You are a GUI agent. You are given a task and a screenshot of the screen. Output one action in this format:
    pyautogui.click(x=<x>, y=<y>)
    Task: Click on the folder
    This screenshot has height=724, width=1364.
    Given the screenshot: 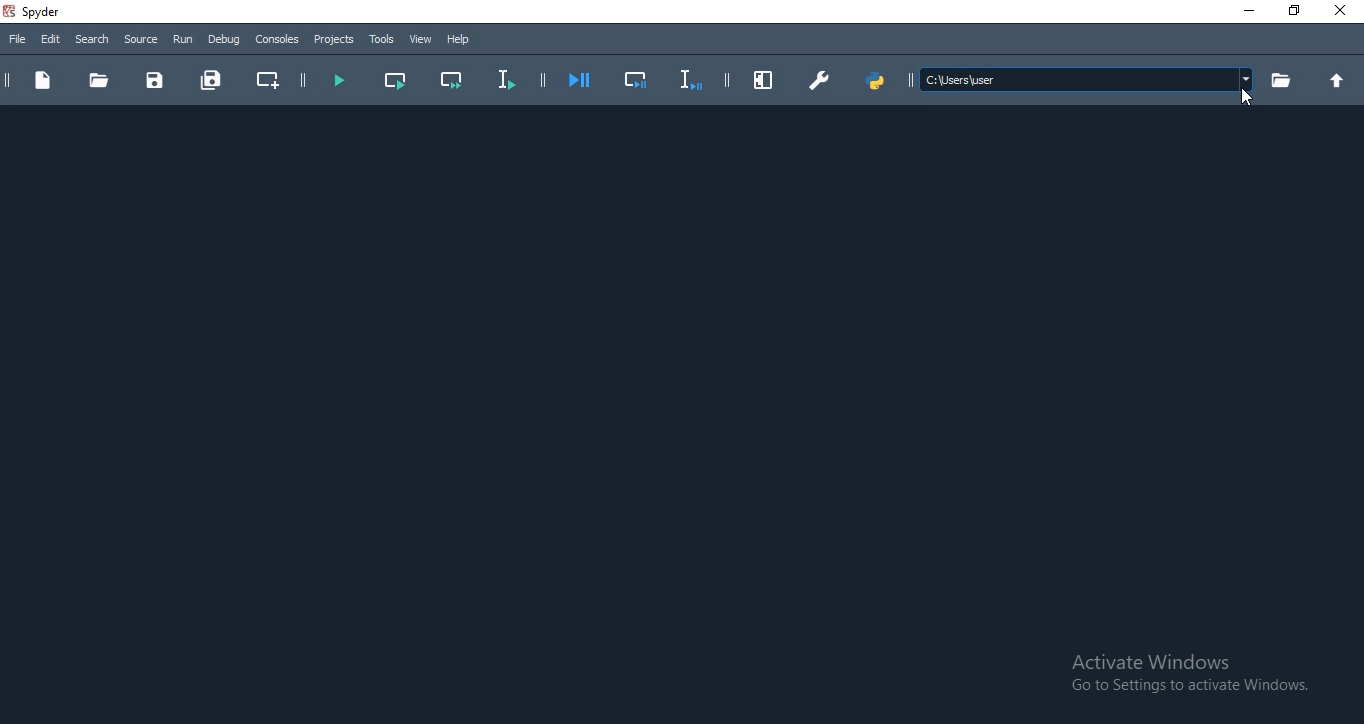 What is the action you would take?
    pyautogui.click(x=1282, y=80)
    